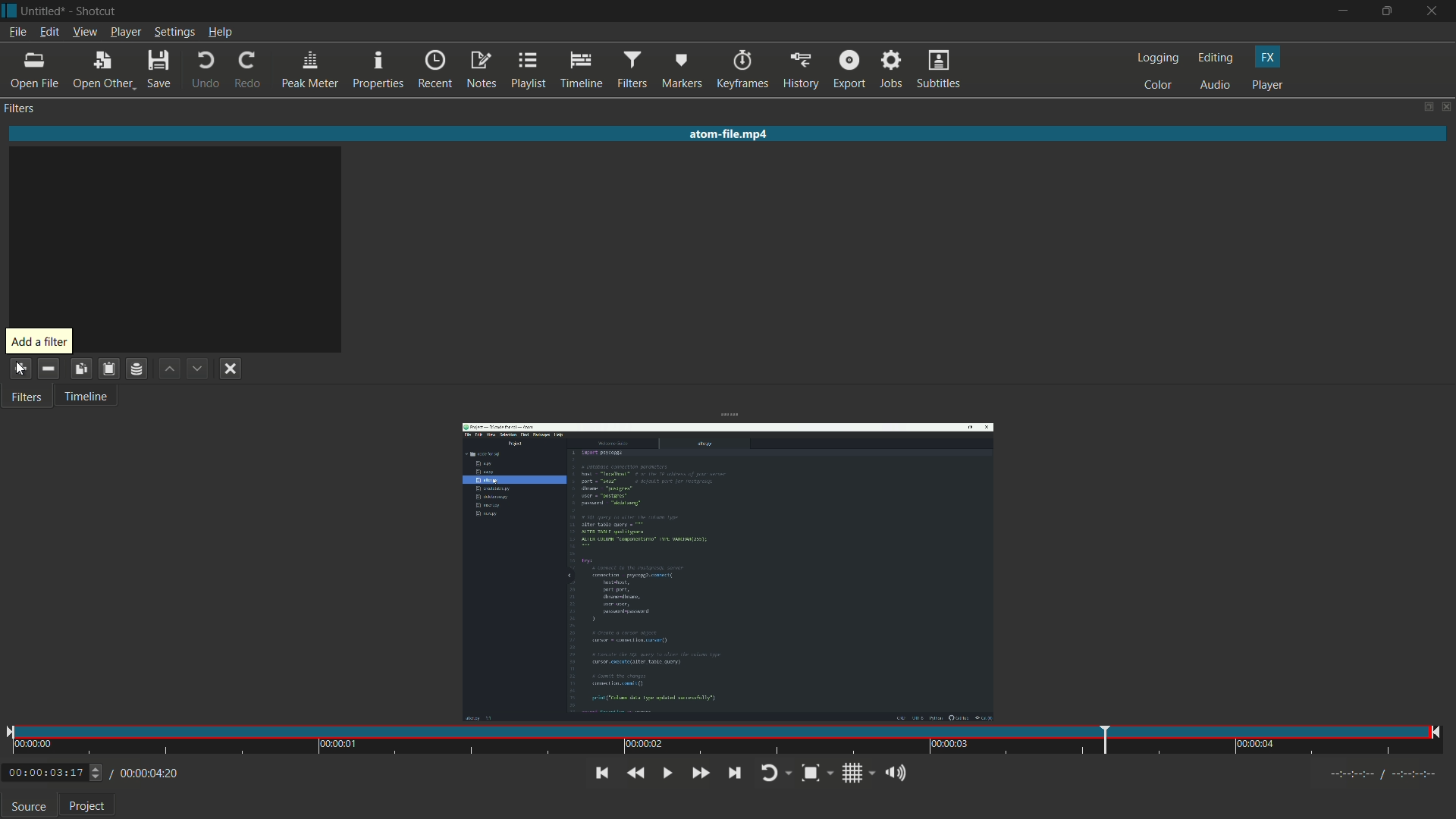  Describe the element at coordinates (83, 369) in the screenshot. I see `copy selected filter` at that location.